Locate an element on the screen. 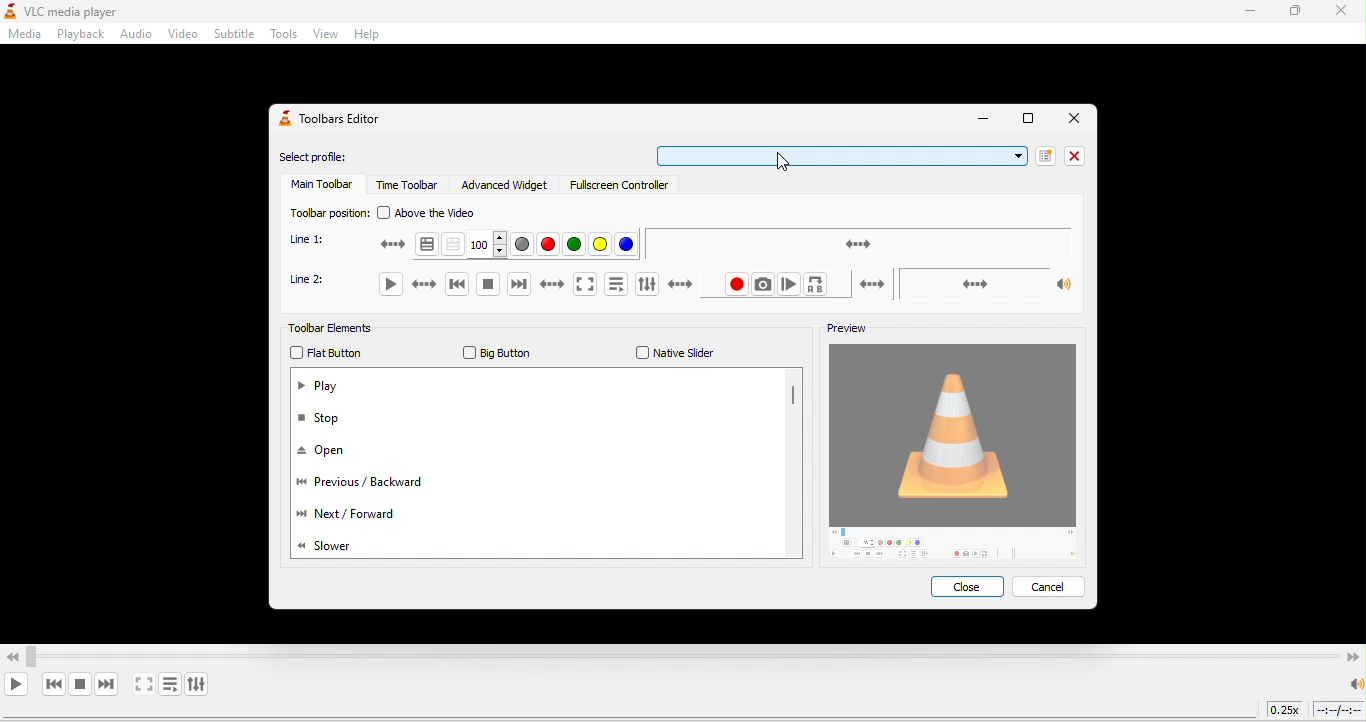 This screenshot has height=722, width=1366. video in full screen is located at coordinates (145, 685).